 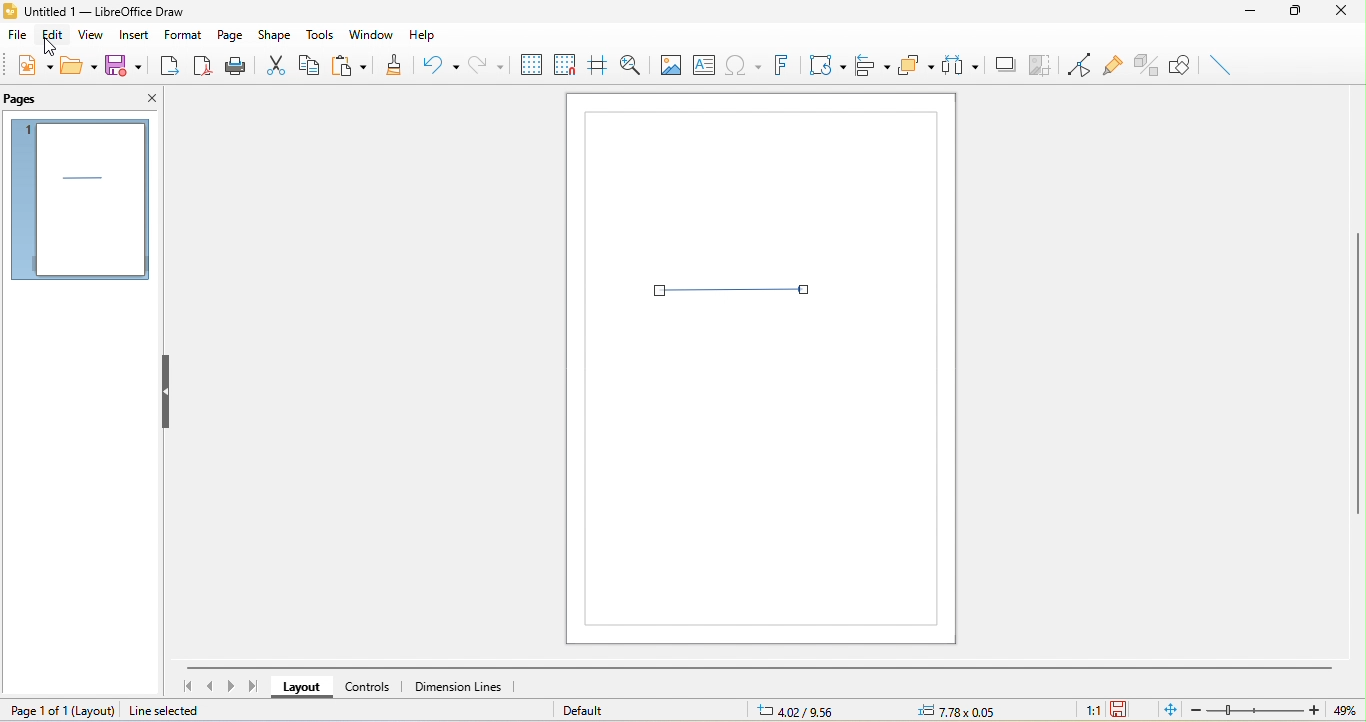 What do you see at coordinates (371, 33) in the screenshot?
I see `window` at bounding box center [371, 33].